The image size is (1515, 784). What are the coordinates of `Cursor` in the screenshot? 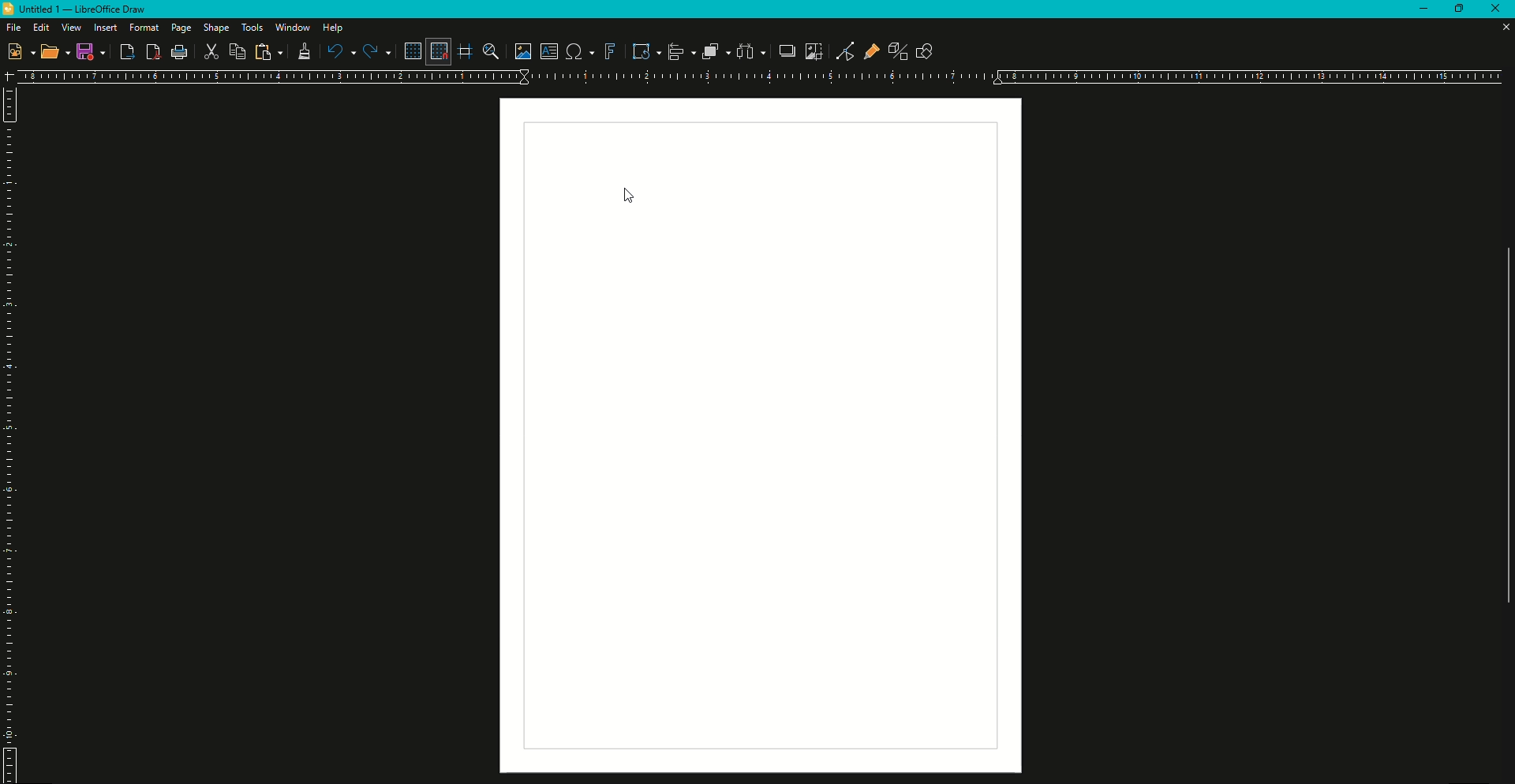 It's located at (630, 199).